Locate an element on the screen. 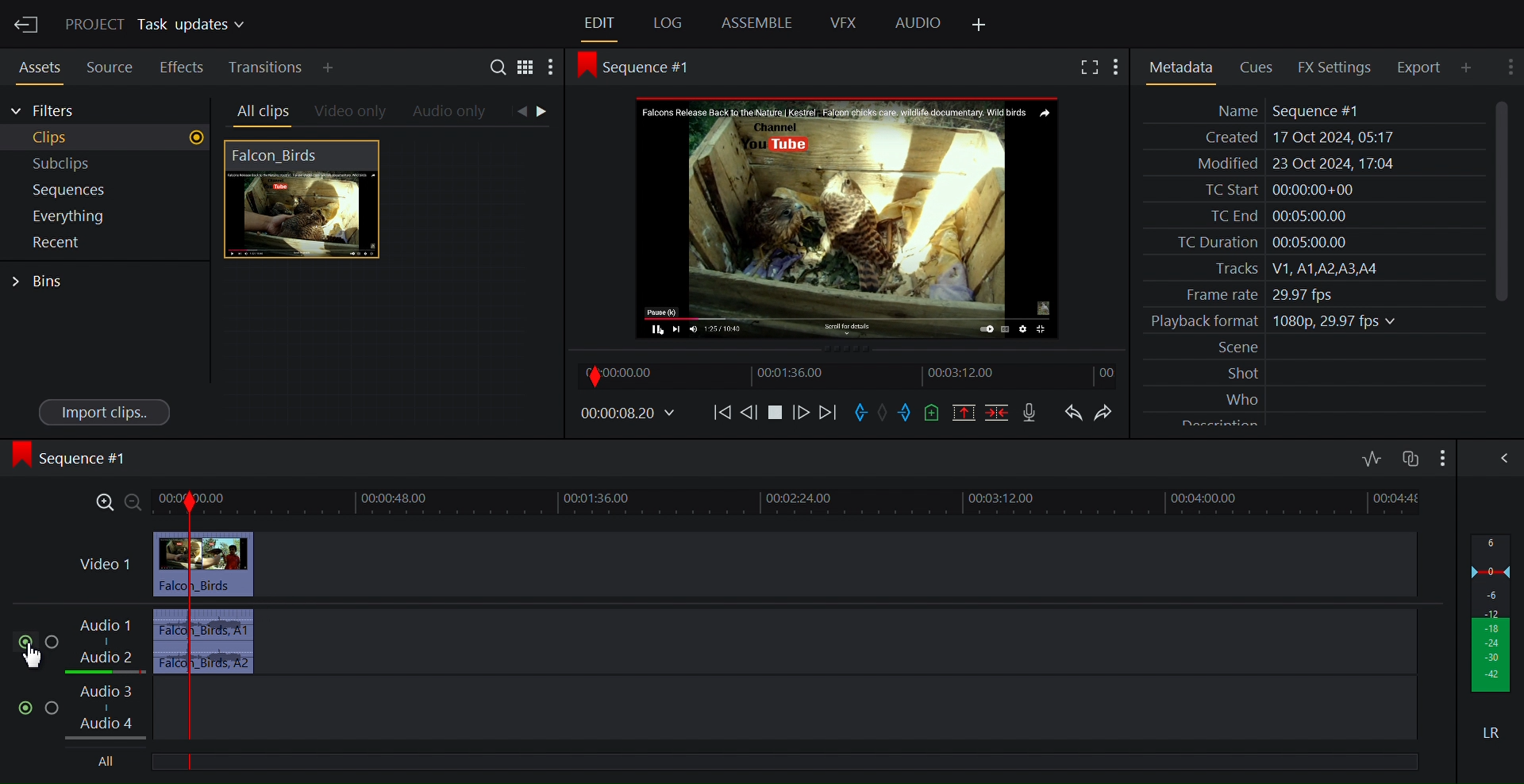  Vertical Scroll bar is located at coordinates (1502, 200).